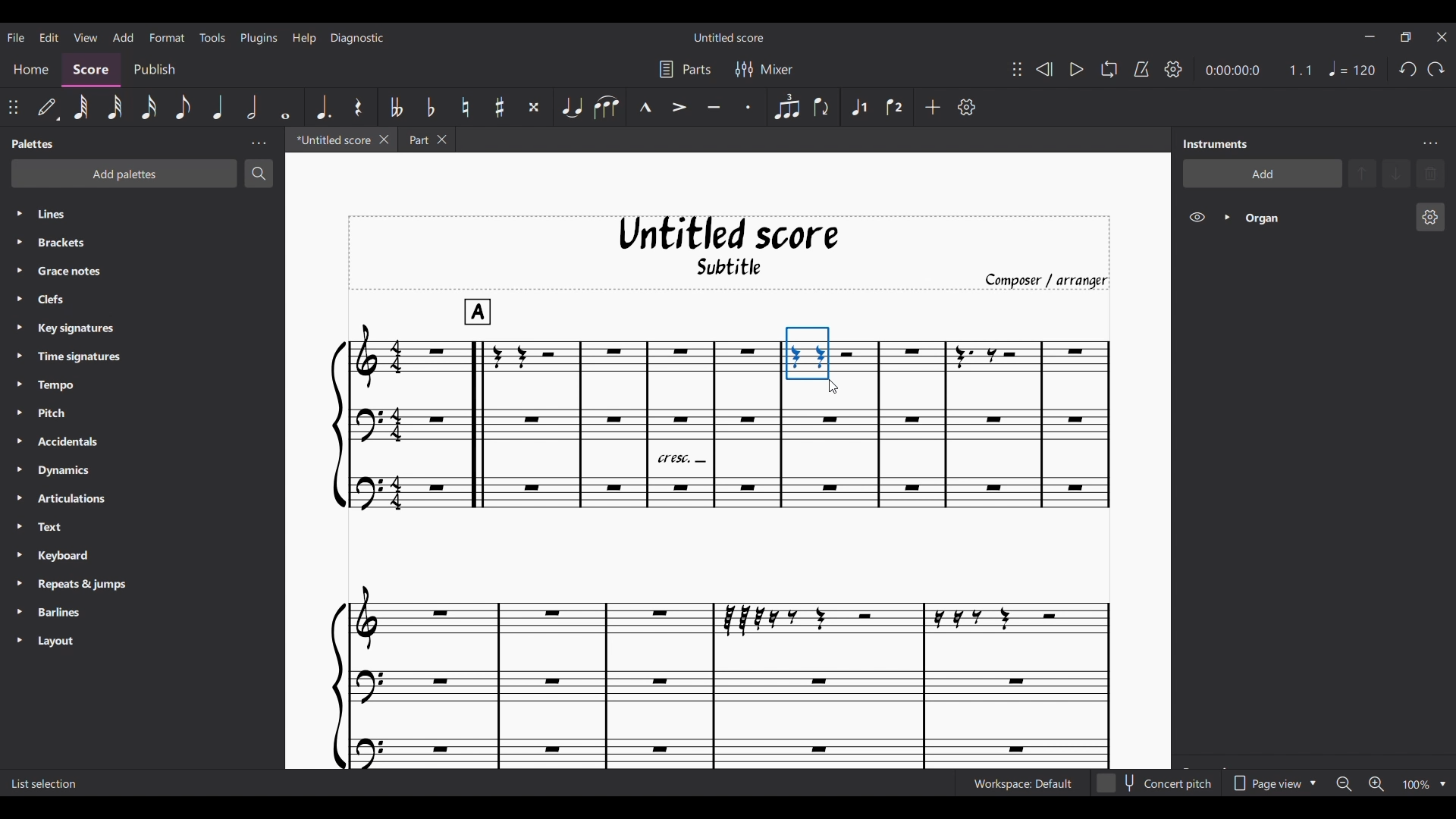 The width and height of the screenshot is (1456, 819). What do you see at coordinates (1408, 69) in the screenshot?
I see `Undo` at bounding box center [1408, 69].